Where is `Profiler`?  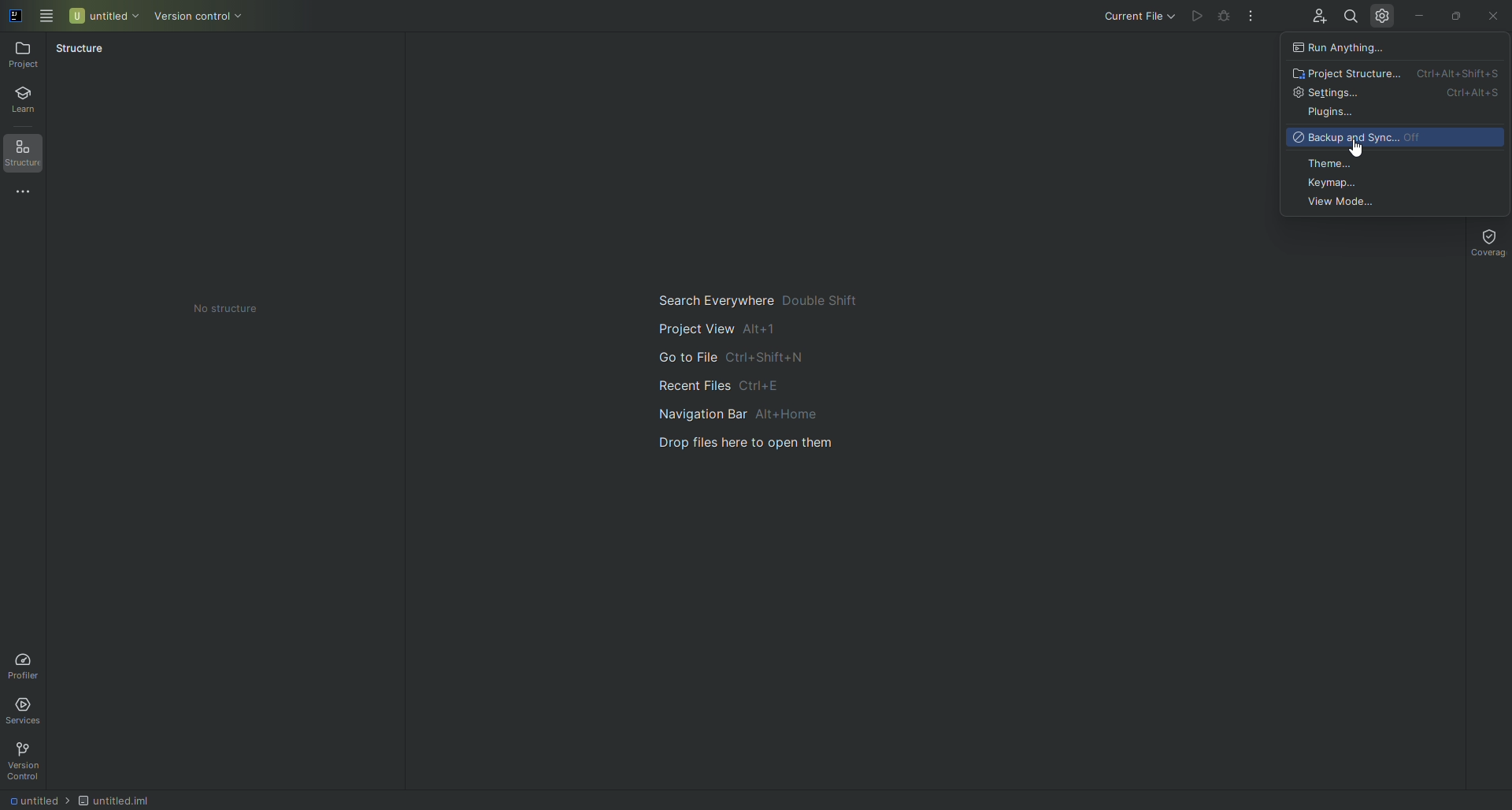 Profiler is located at coordinates (24, 663).